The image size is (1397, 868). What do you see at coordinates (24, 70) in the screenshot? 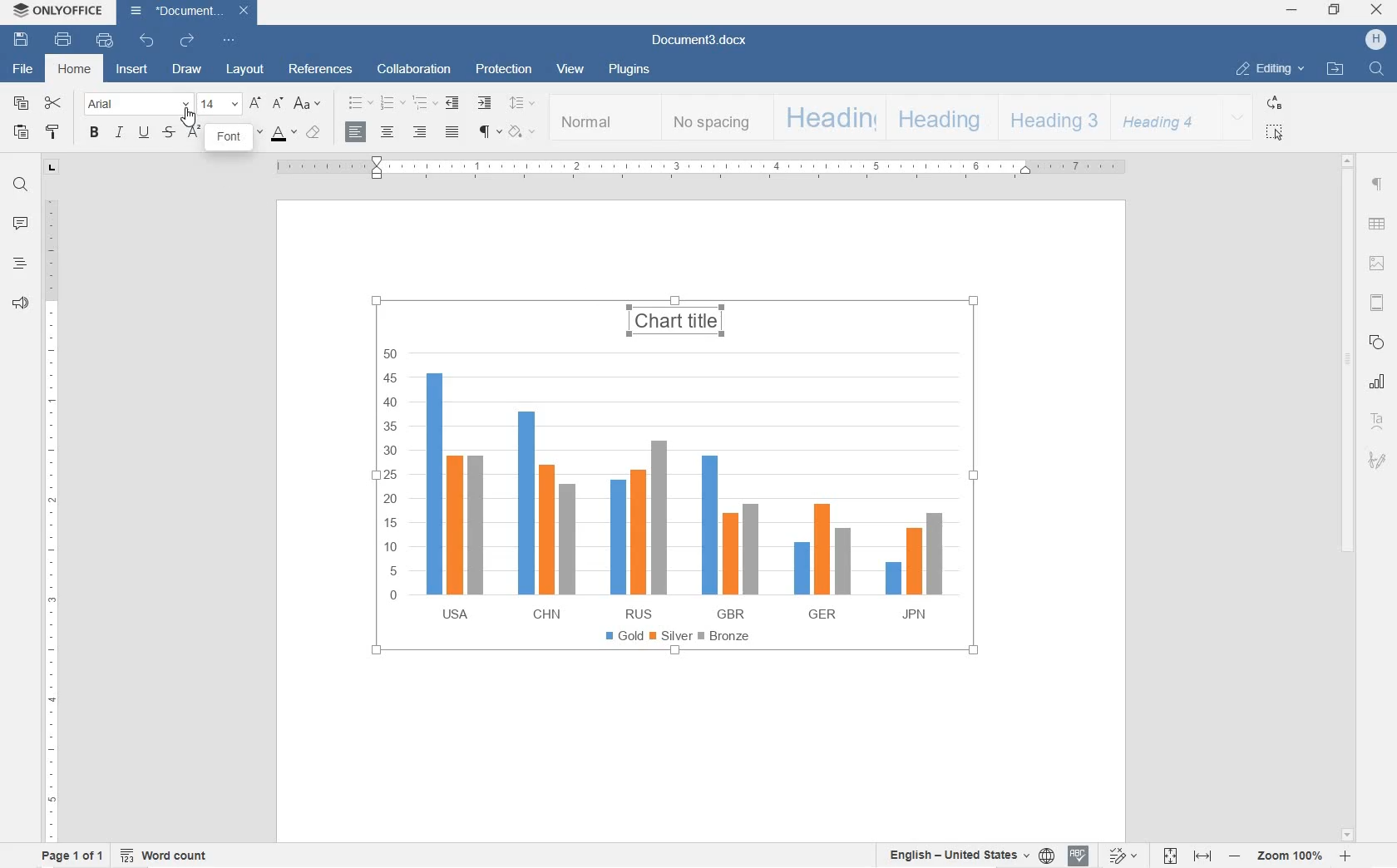
I see `FILE` at bounding box center [24, 70].